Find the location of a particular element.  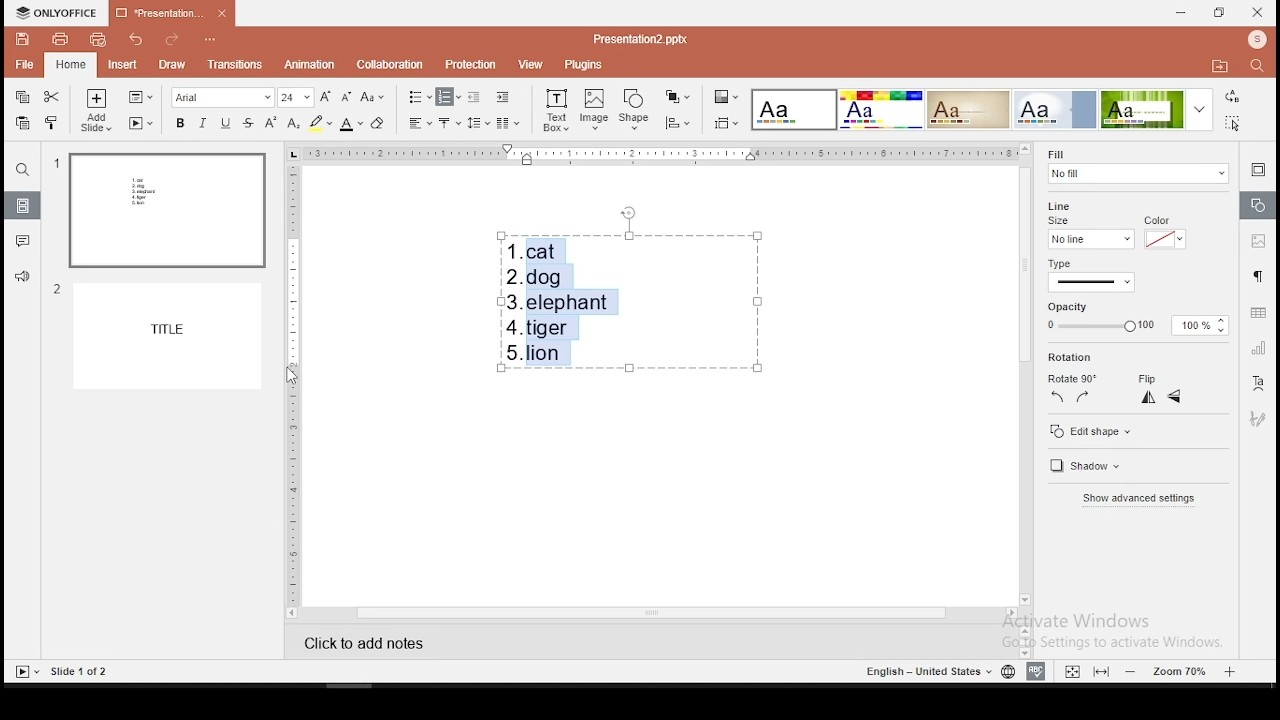

plugins is located at coordinates (584, 65).